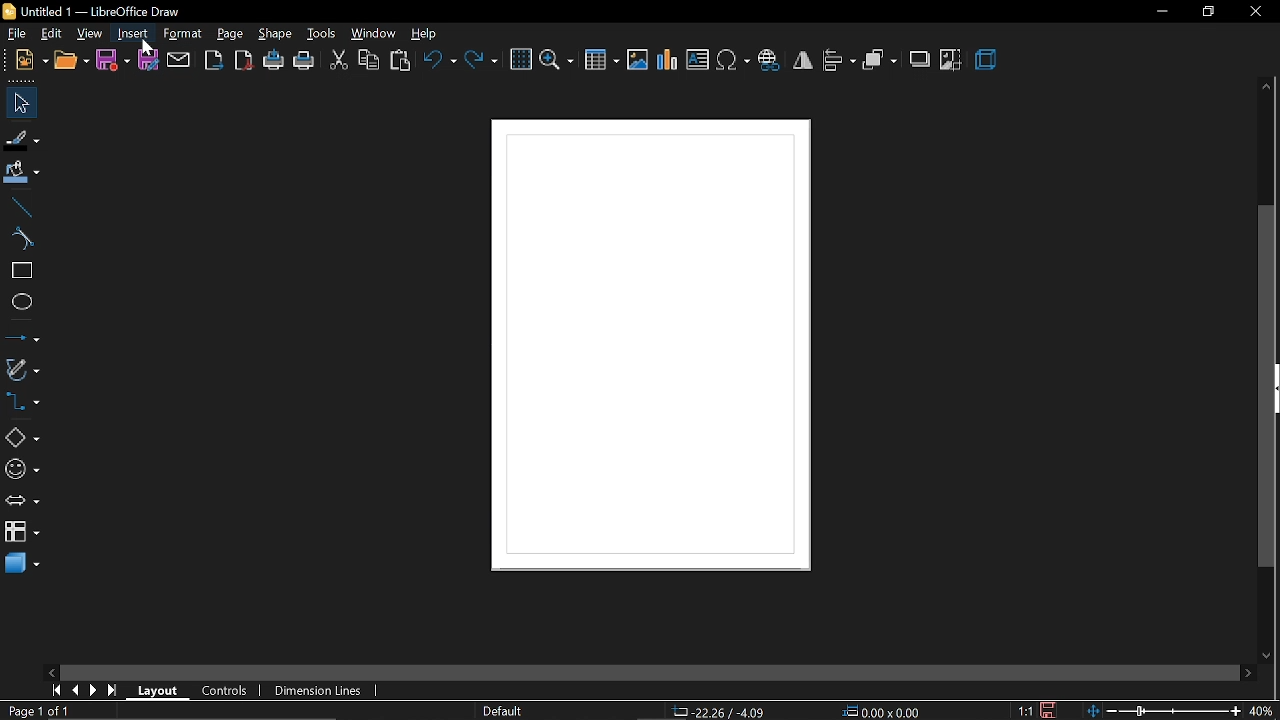  Describe the element at coordinates (156, 690) in the screenshot. I see `layout` at that location.